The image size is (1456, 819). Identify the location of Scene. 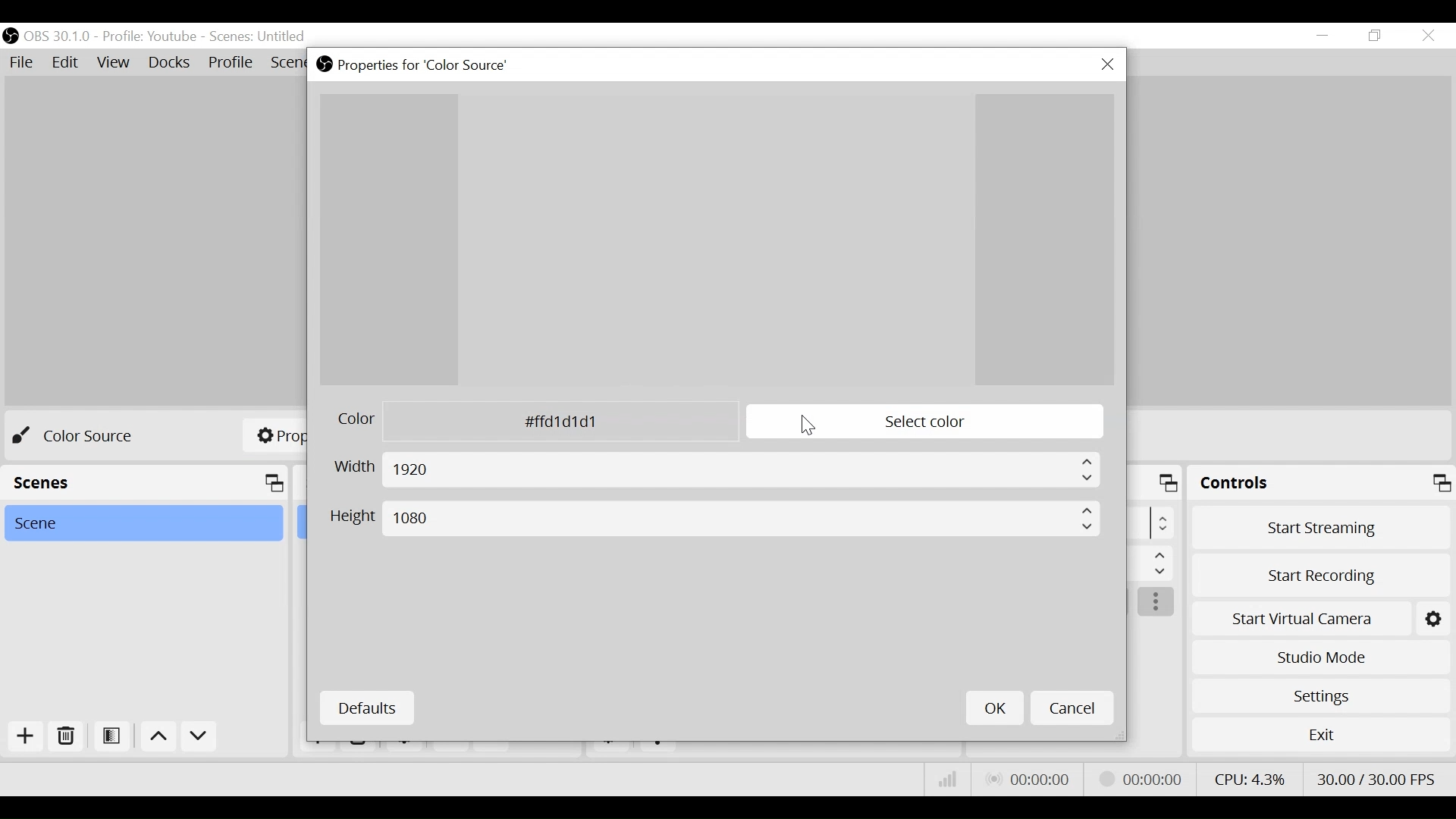
(142, 523).